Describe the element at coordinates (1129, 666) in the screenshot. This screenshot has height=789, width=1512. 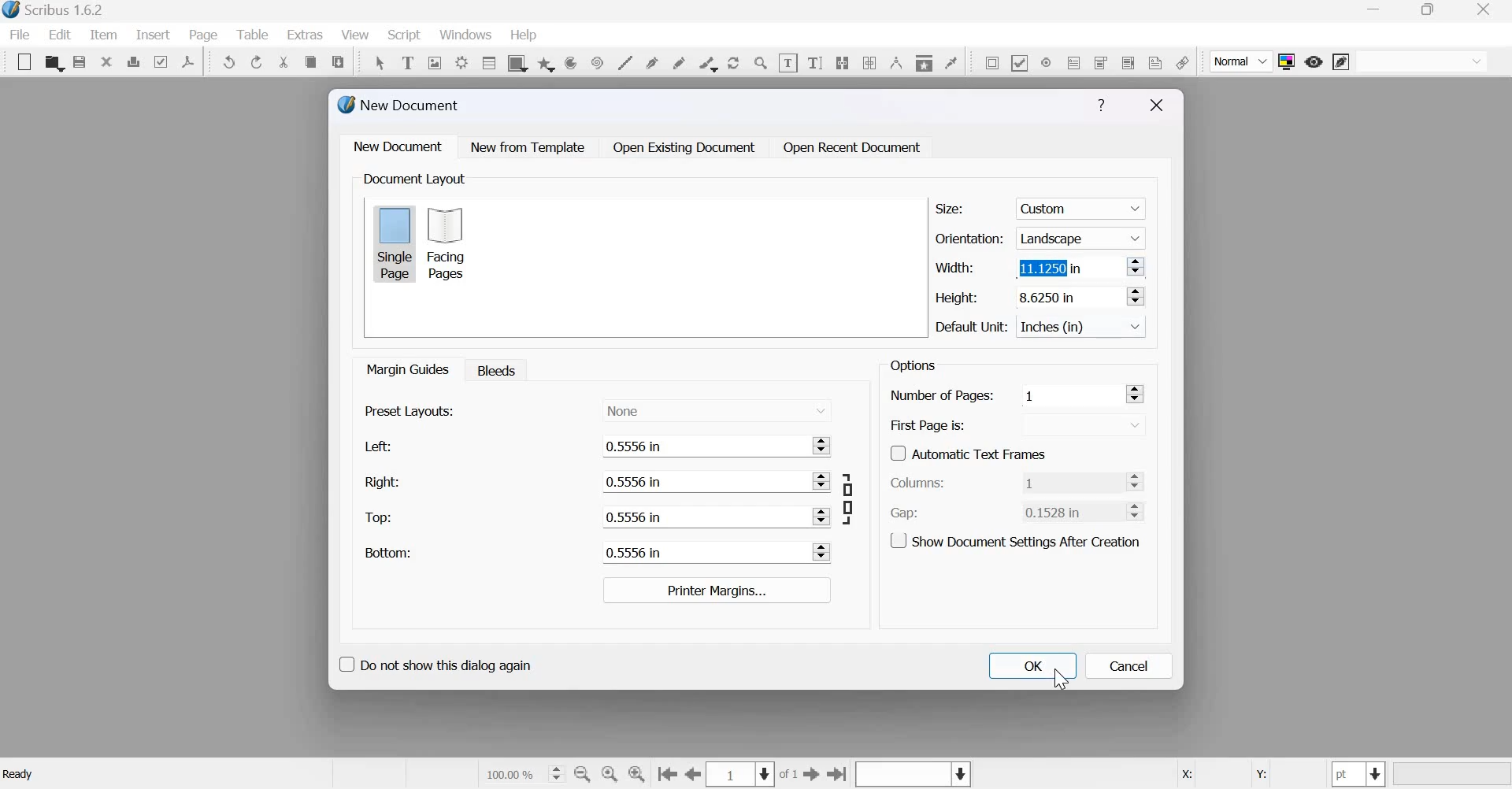
I see `Cancel` at that location.